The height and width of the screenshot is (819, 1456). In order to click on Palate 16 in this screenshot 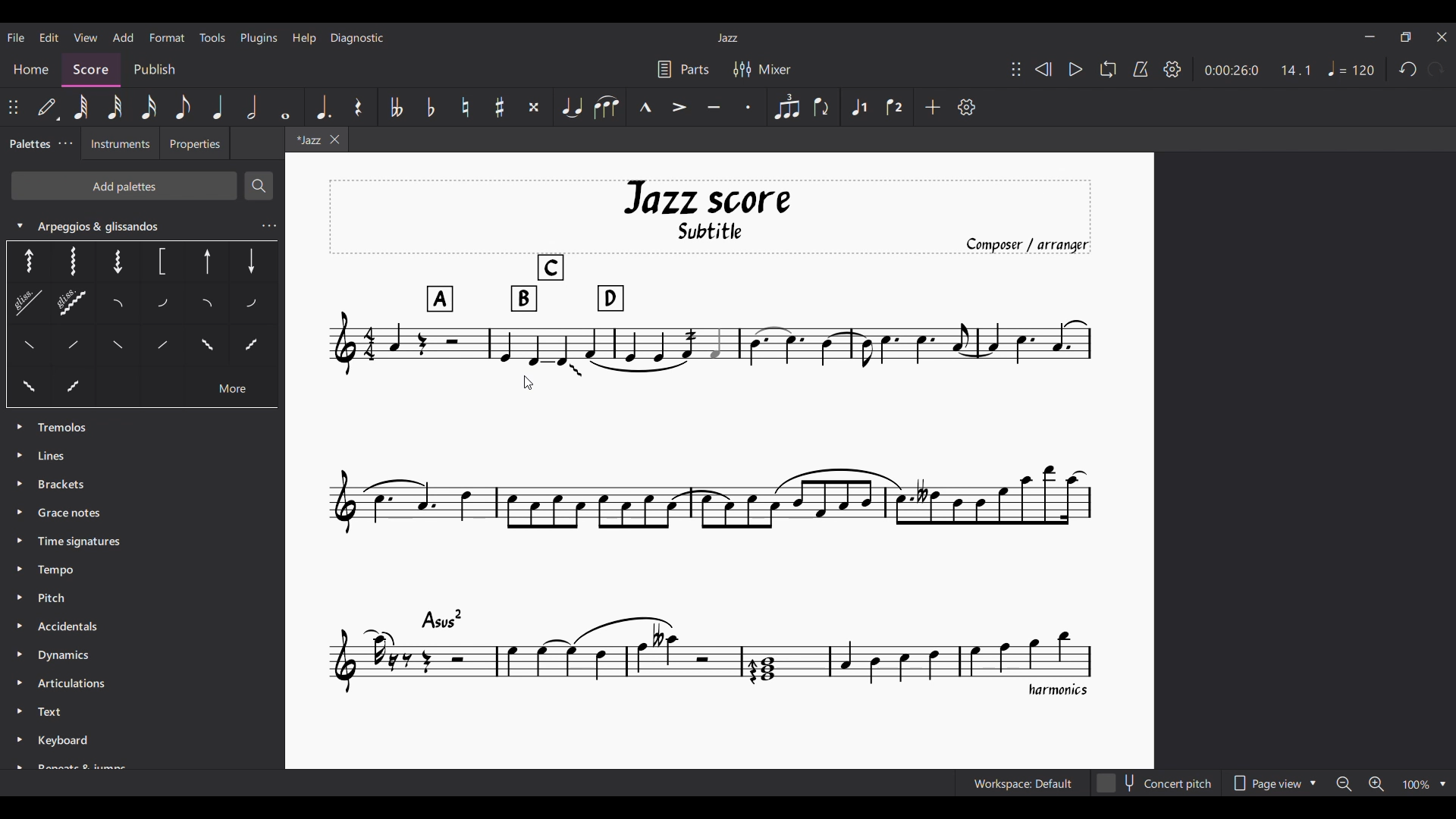, I will do `click(204, 348)`.